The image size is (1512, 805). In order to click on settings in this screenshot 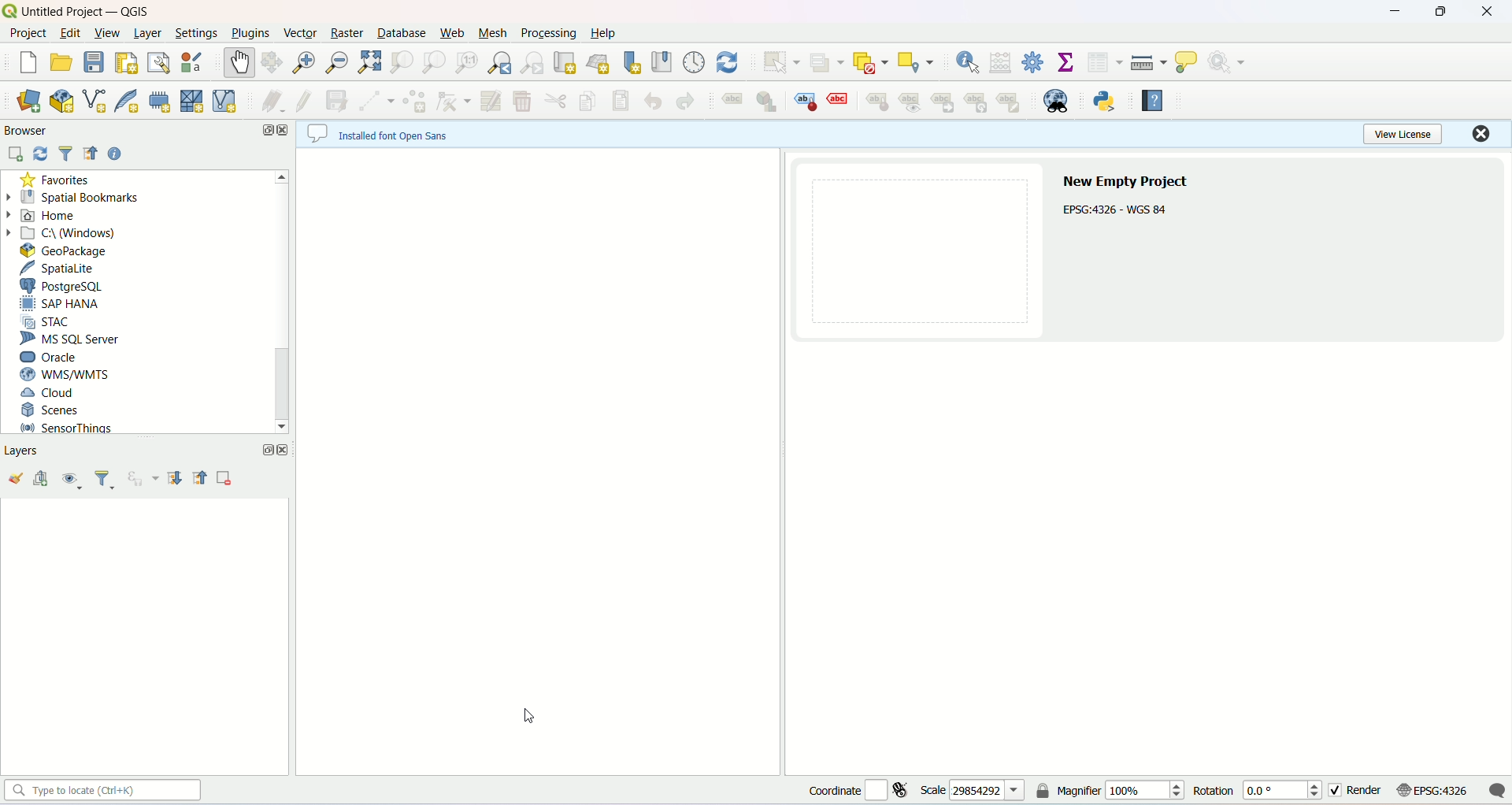, I will do `click(198, 32)`.